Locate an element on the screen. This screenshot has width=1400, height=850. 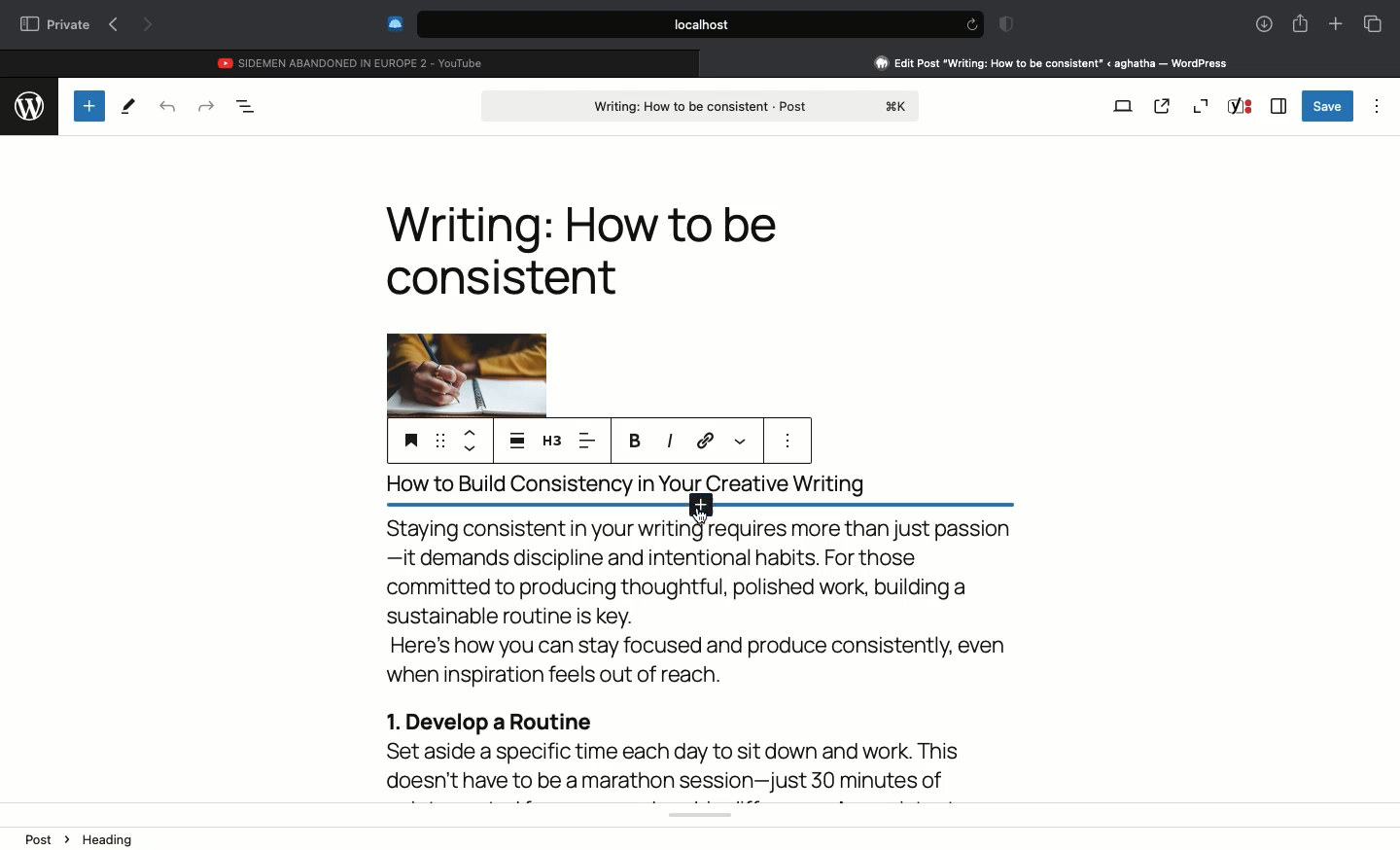
refresh is located at coordinates (970, 24).